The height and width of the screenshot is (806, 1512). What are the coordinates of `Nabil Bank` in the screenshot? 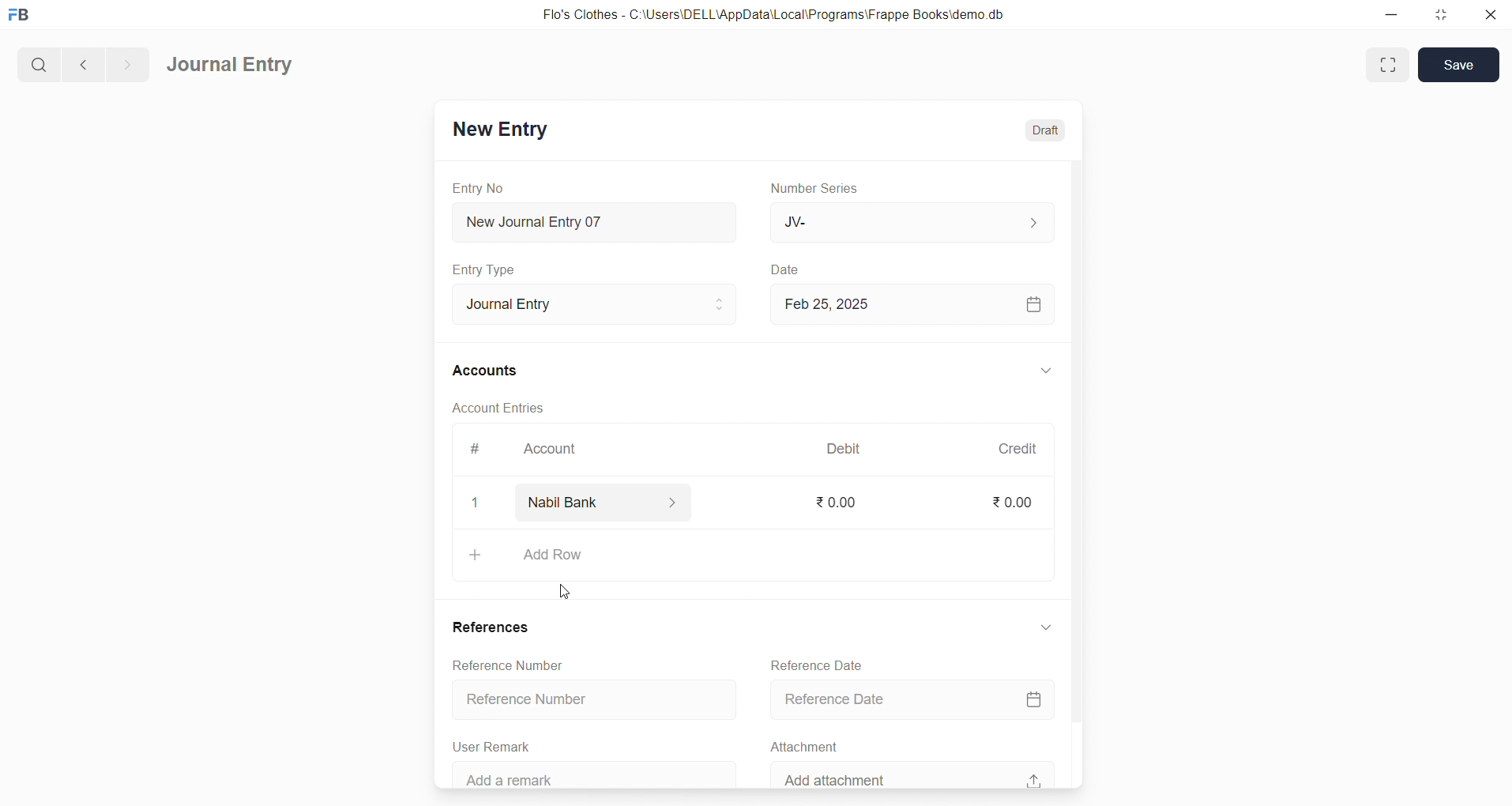 It's located at (607, 503).